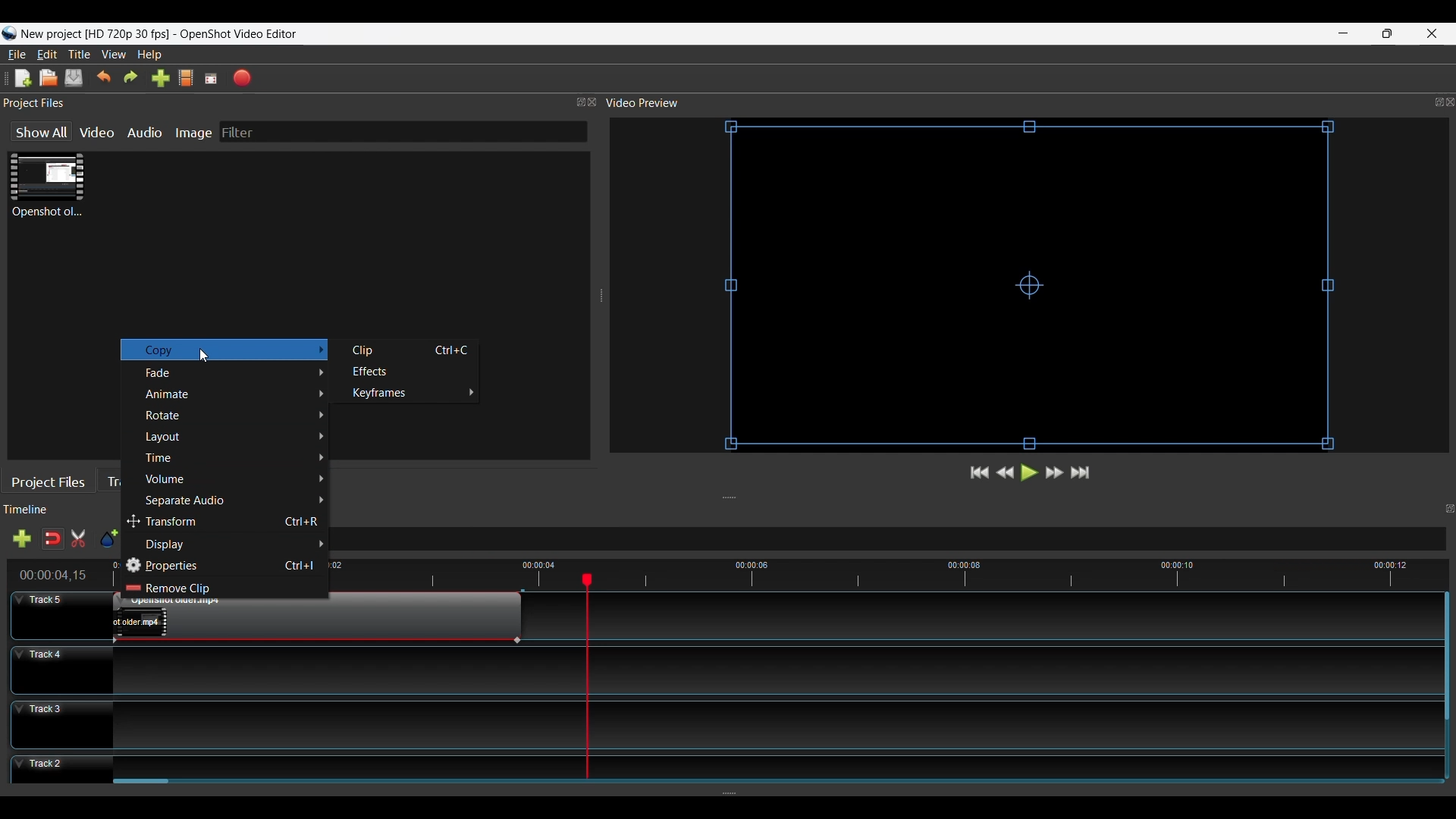  I want to click on Undo, so click(105, 77).